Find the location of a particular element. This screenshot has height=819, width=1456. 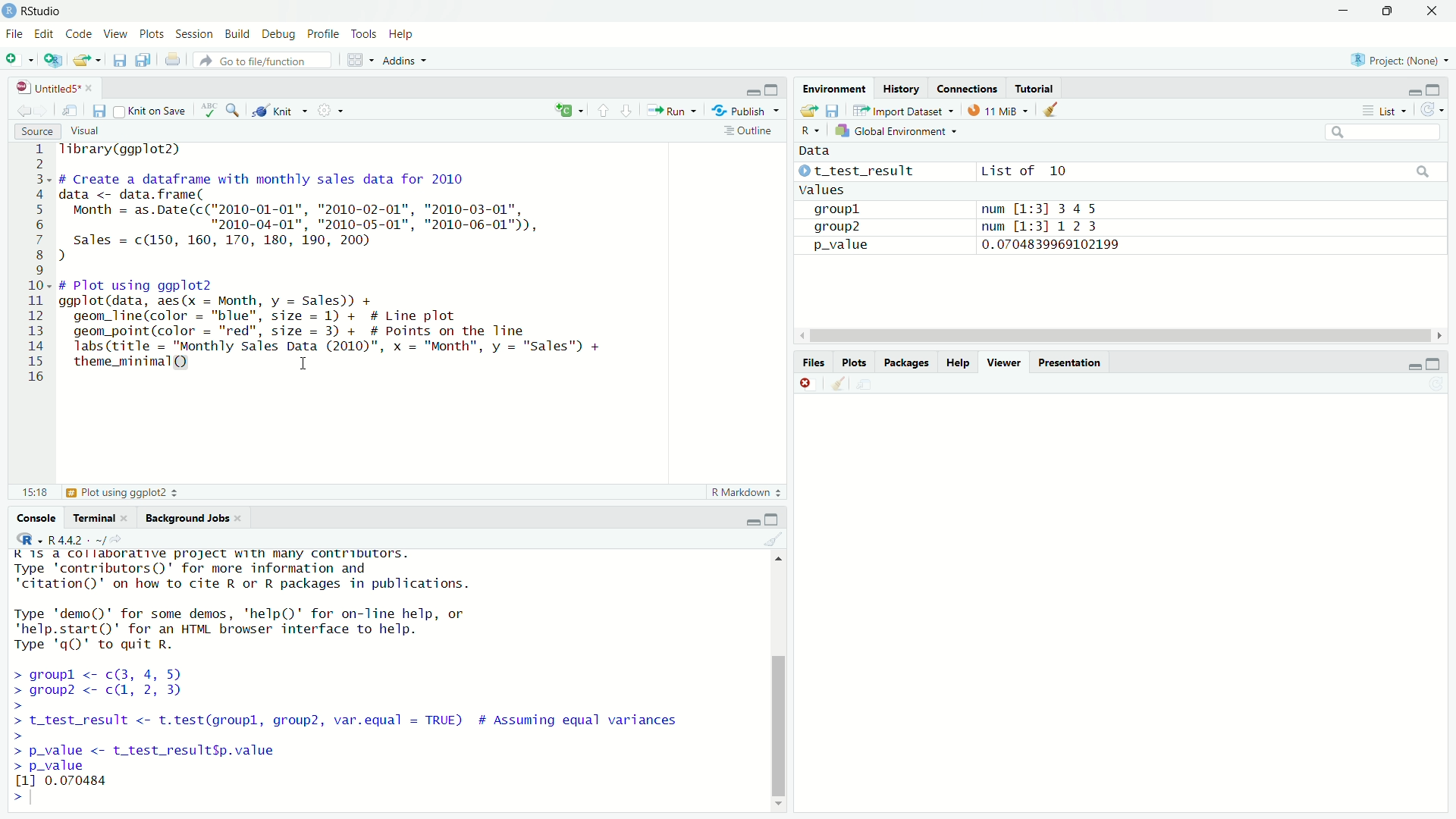

Knit on Save is located at coordinates (152, 110).